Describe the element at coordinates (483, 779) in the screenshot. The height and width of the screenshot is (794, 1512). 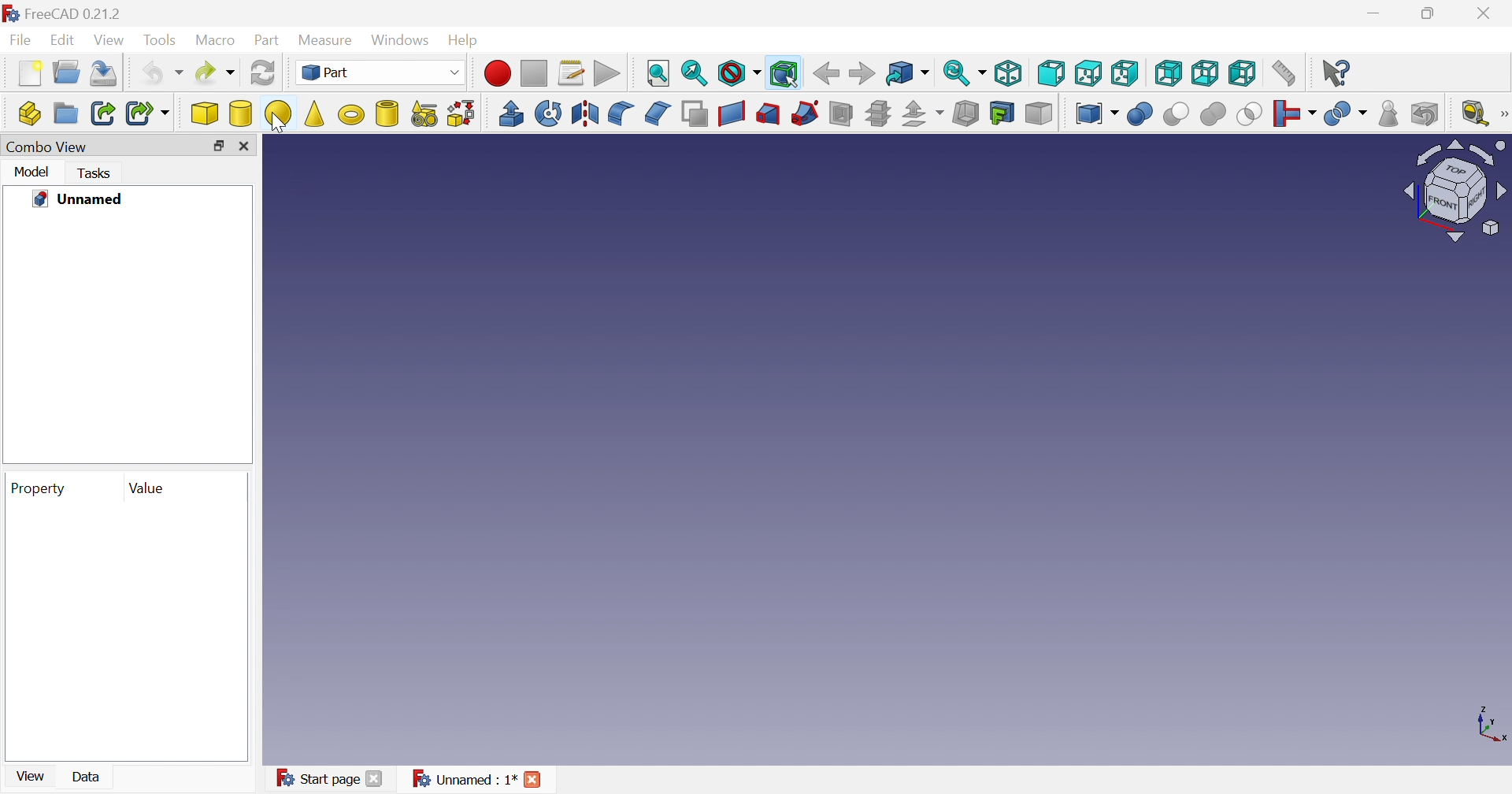
I see `Unnamed ` at that location.